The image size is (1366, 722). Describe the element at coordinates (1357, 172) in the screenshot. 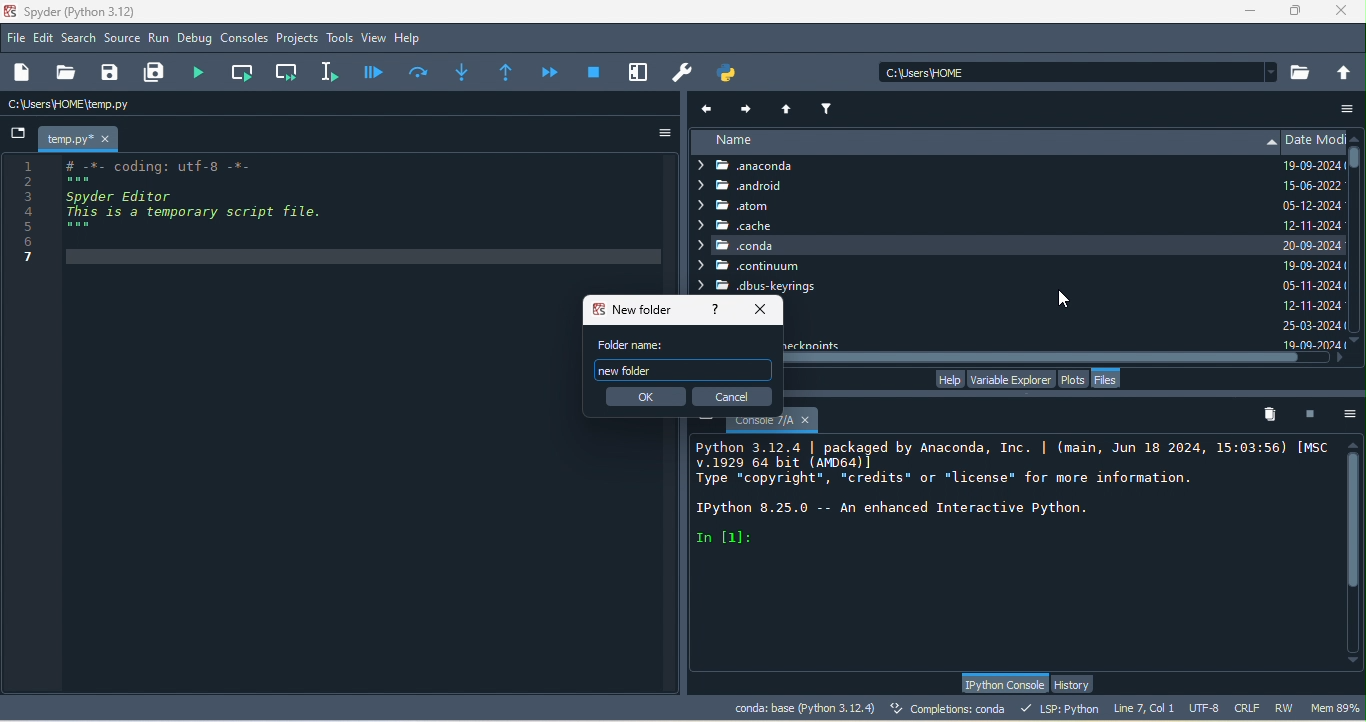

I see `vertical scroll bar` at that location.